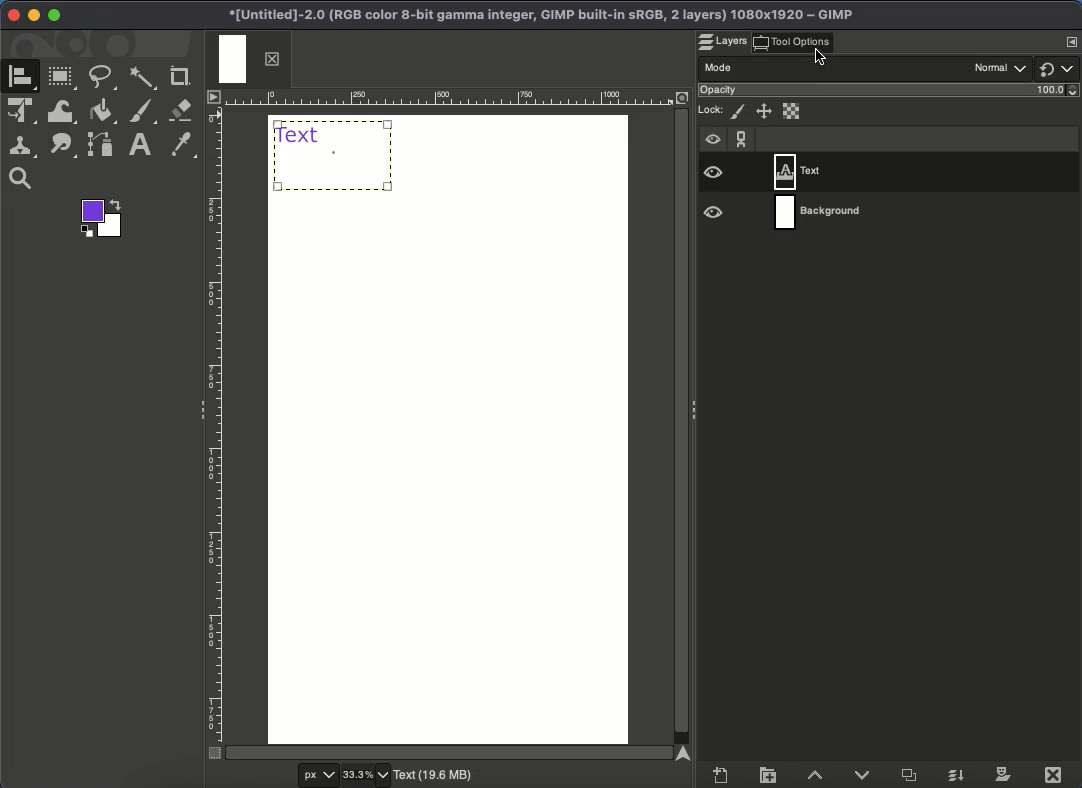 The height and width of the screenshot is (788, 1082). Describe the element at coordinates (61, 111) in the screenshot. I see `Warp transformation` at that location.